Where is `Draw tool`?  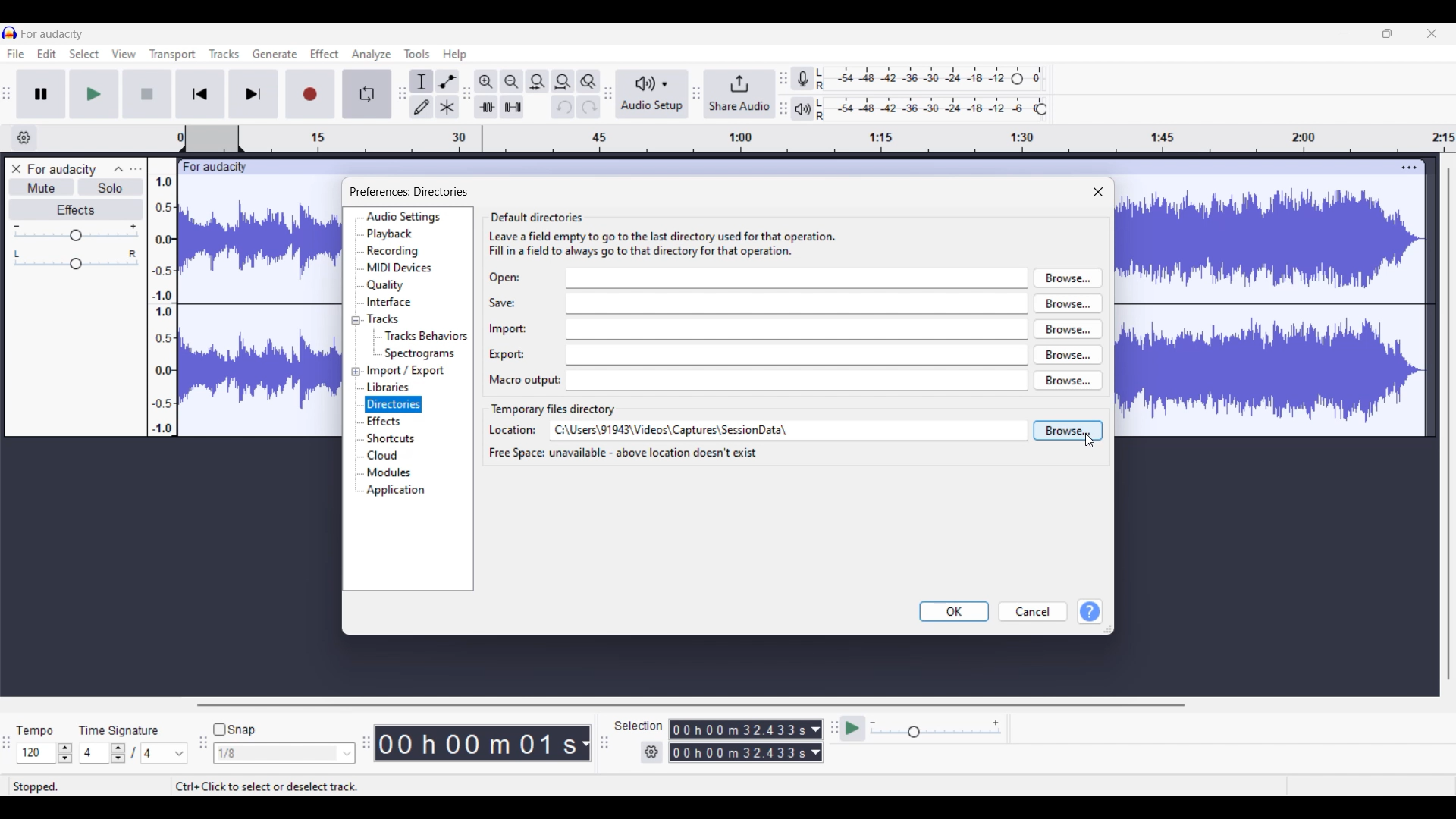
Draw tool is located at coordinates (422, 106).